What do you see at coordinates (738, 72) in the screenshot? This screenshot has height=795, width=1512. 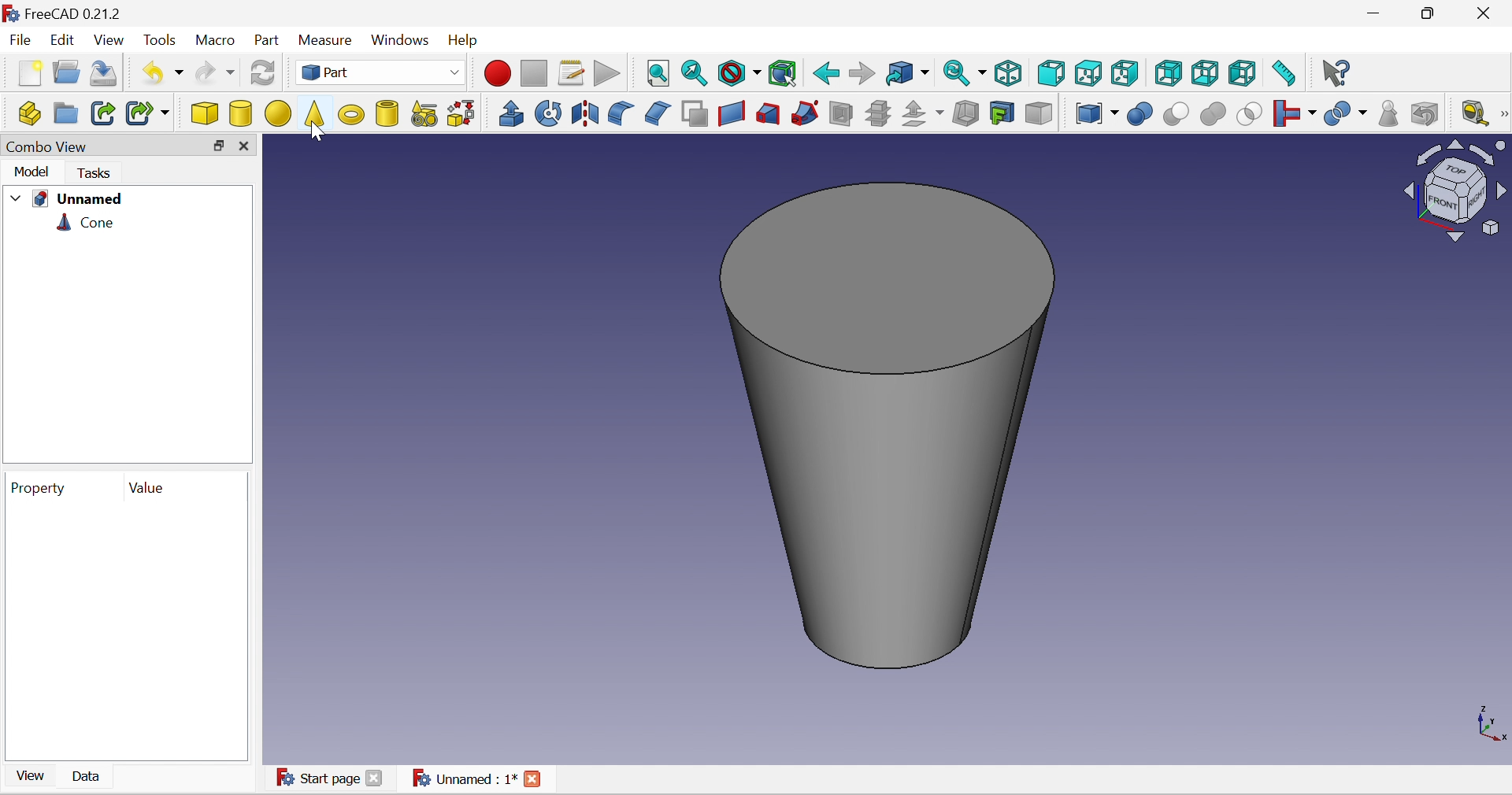 I see `Draw style` at bounding box center [738, 72].